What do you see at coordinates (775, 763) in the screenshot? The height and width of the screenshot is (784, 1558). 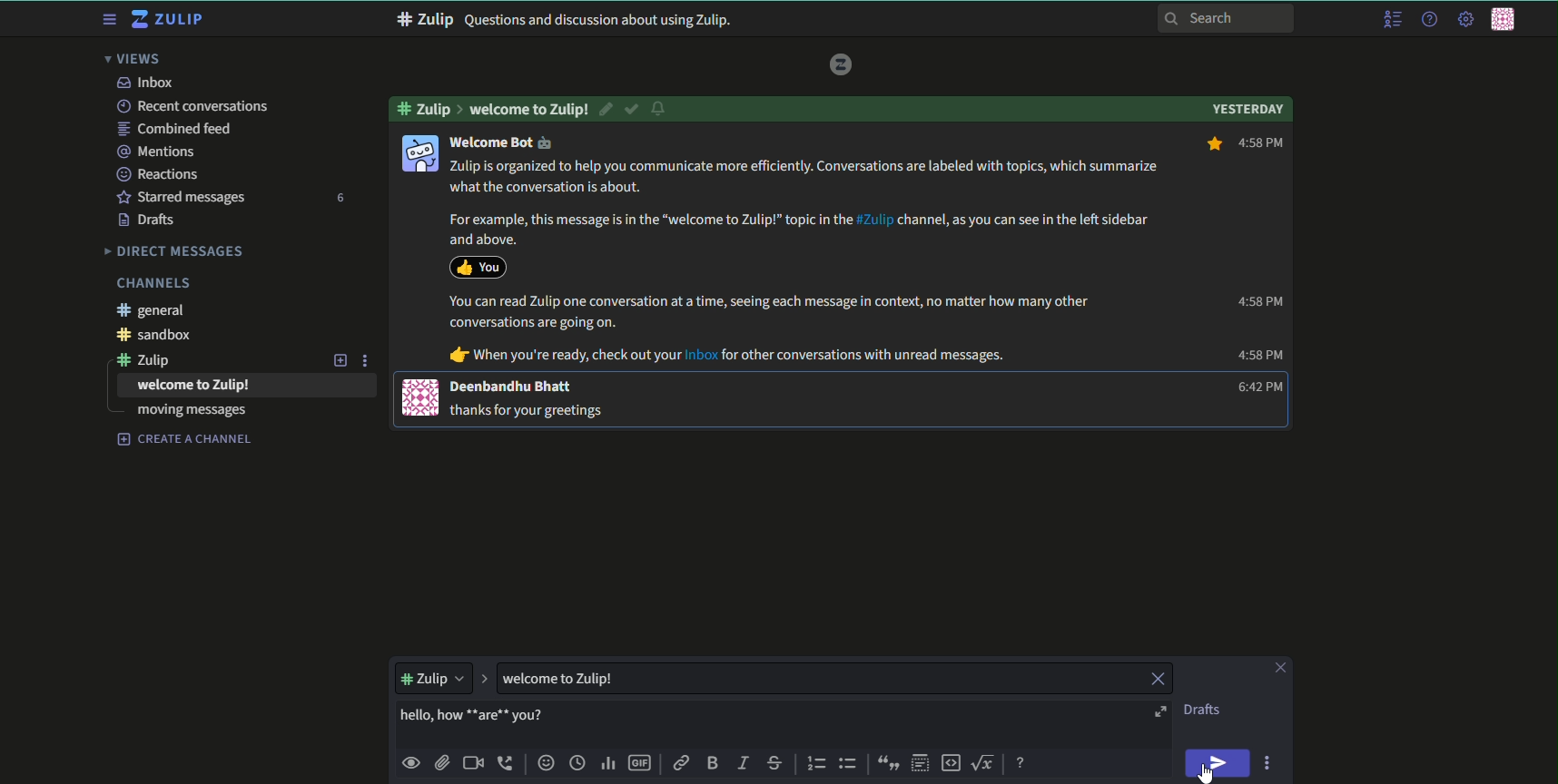 I see `strikethrough` at bounding box center [775, 763].